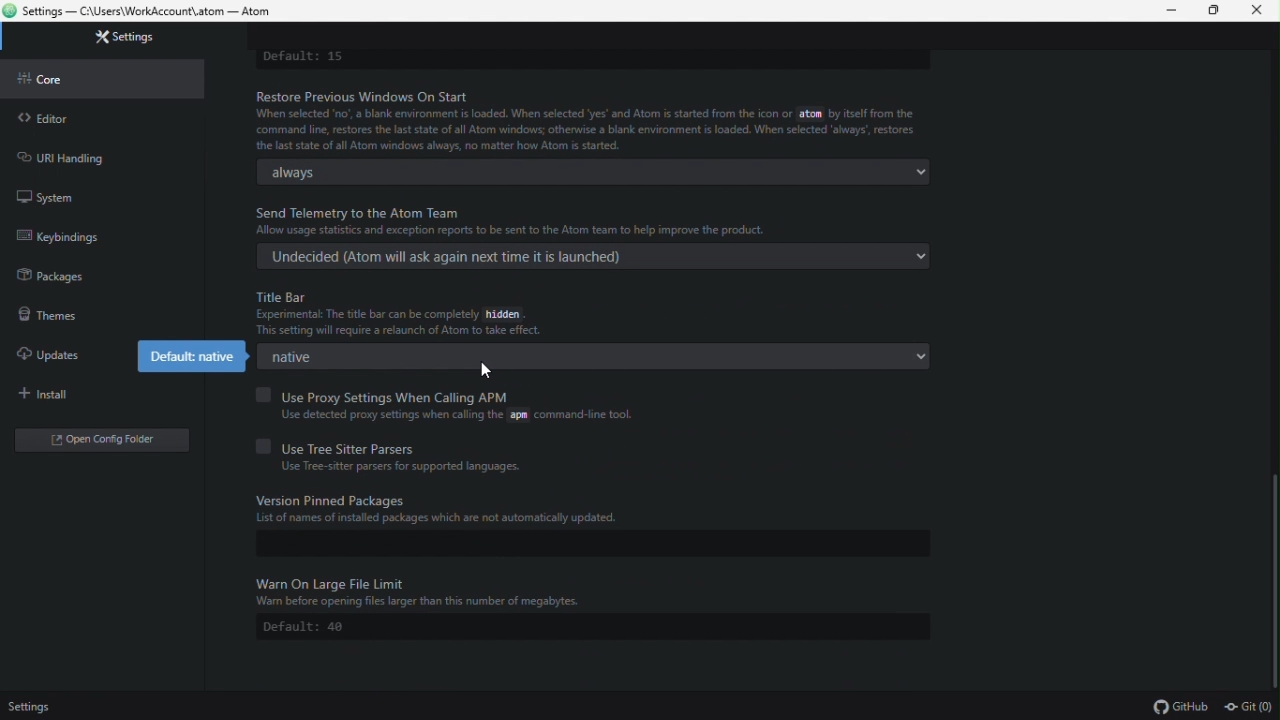 The height and width of the screenshot is (720, 1280). What do you see at coordinates (304, 56) in the screenshot?
I see `default:15` at bounding box center [304, 56].